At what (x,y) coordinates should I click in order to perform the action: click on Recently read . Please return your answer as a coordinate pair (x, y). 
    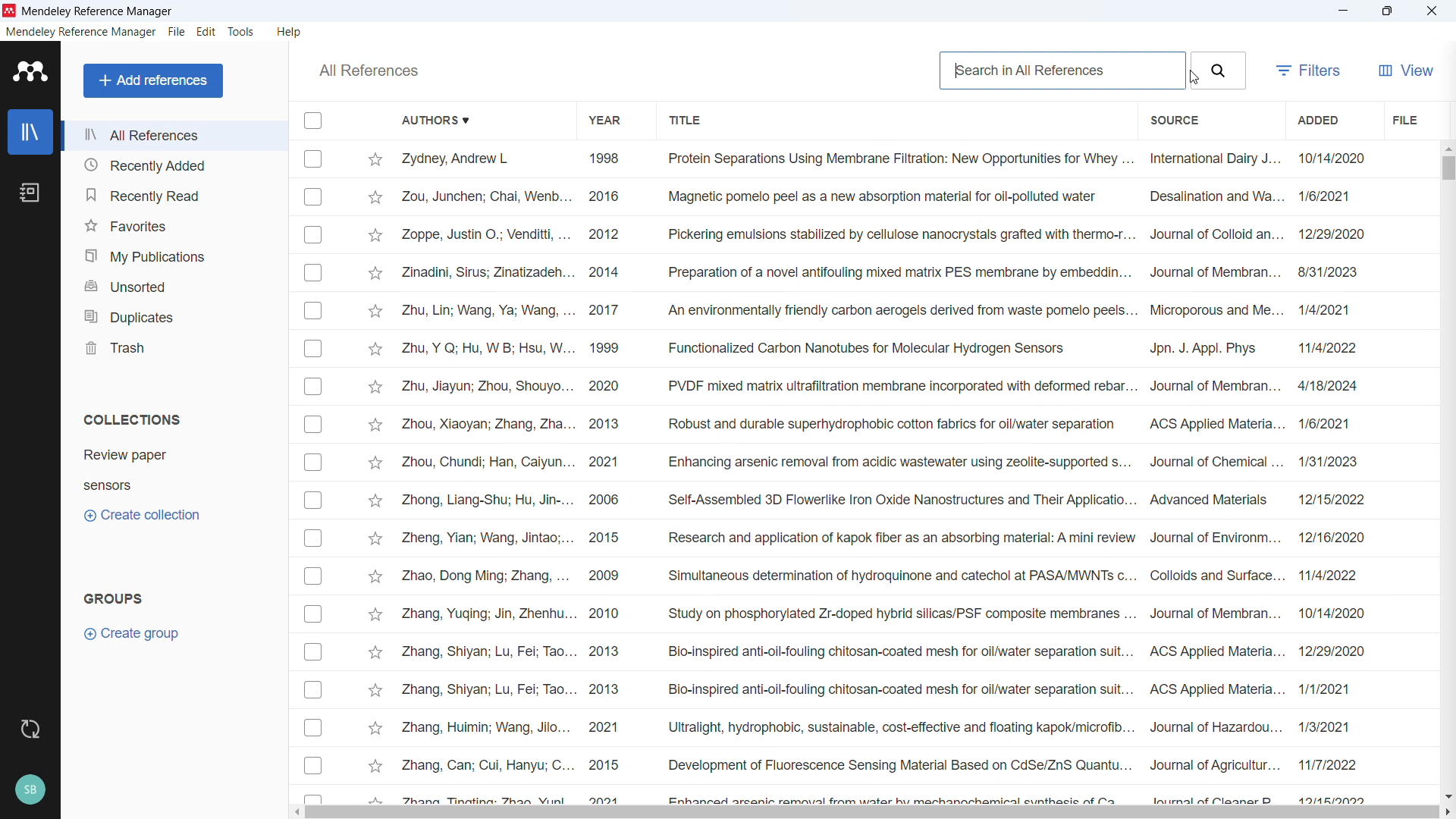
    Looking at the image, I should click on (174, 193).